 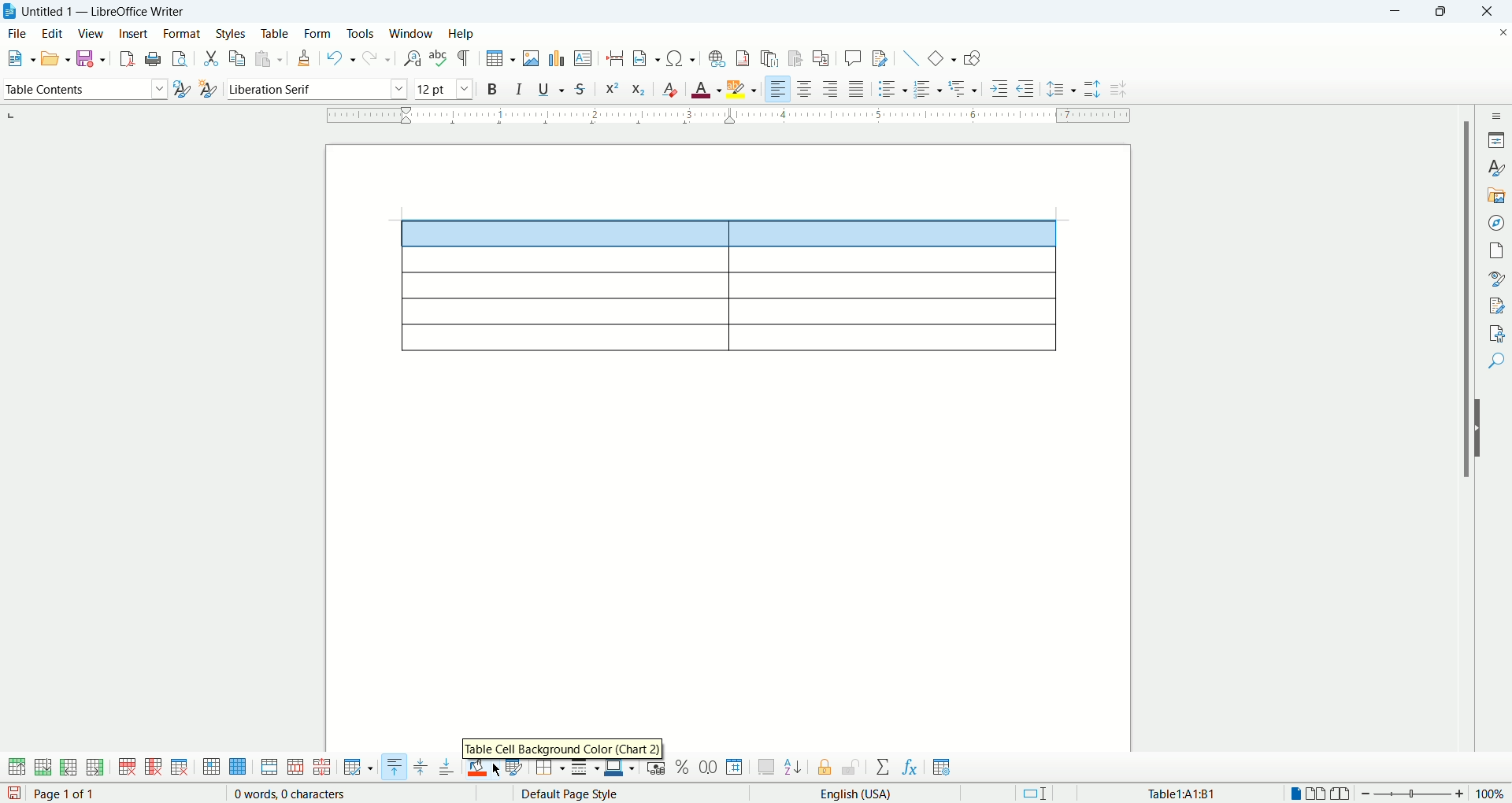 I want to click on , so click(x=965, y=87).